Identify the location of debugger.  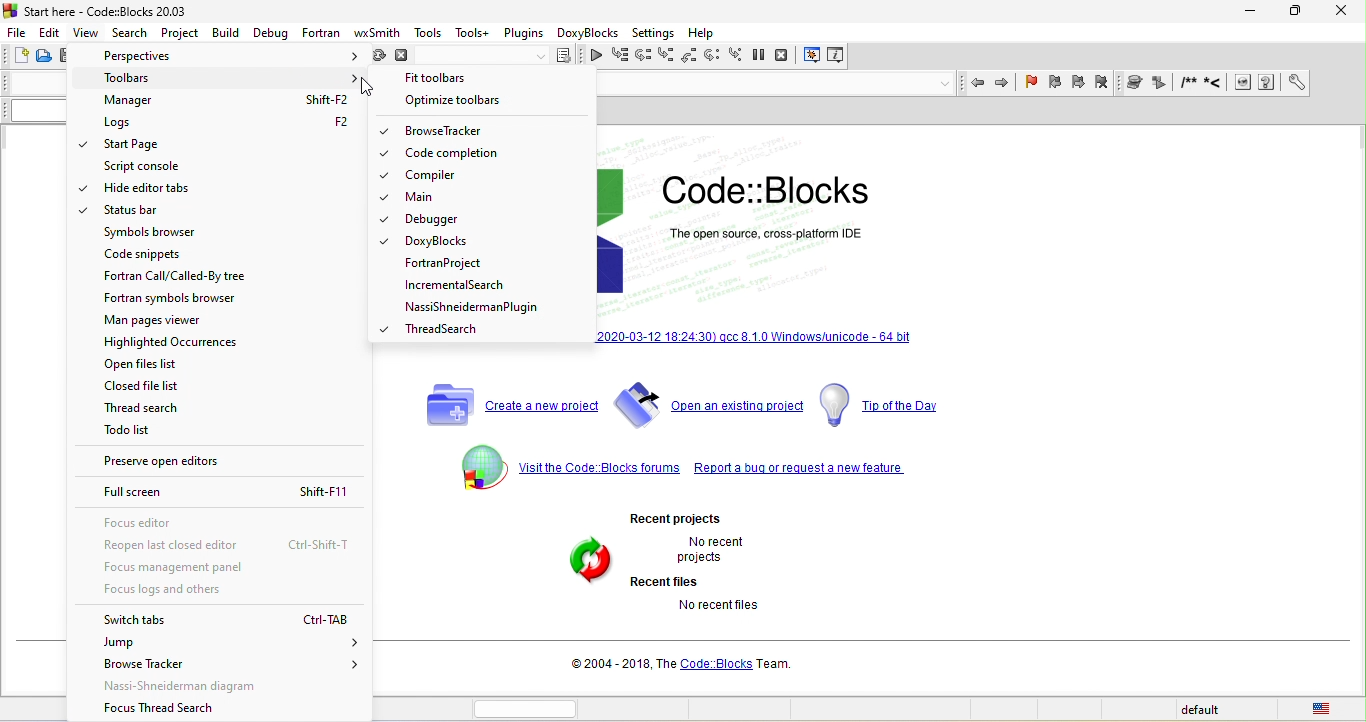
(433, 222).